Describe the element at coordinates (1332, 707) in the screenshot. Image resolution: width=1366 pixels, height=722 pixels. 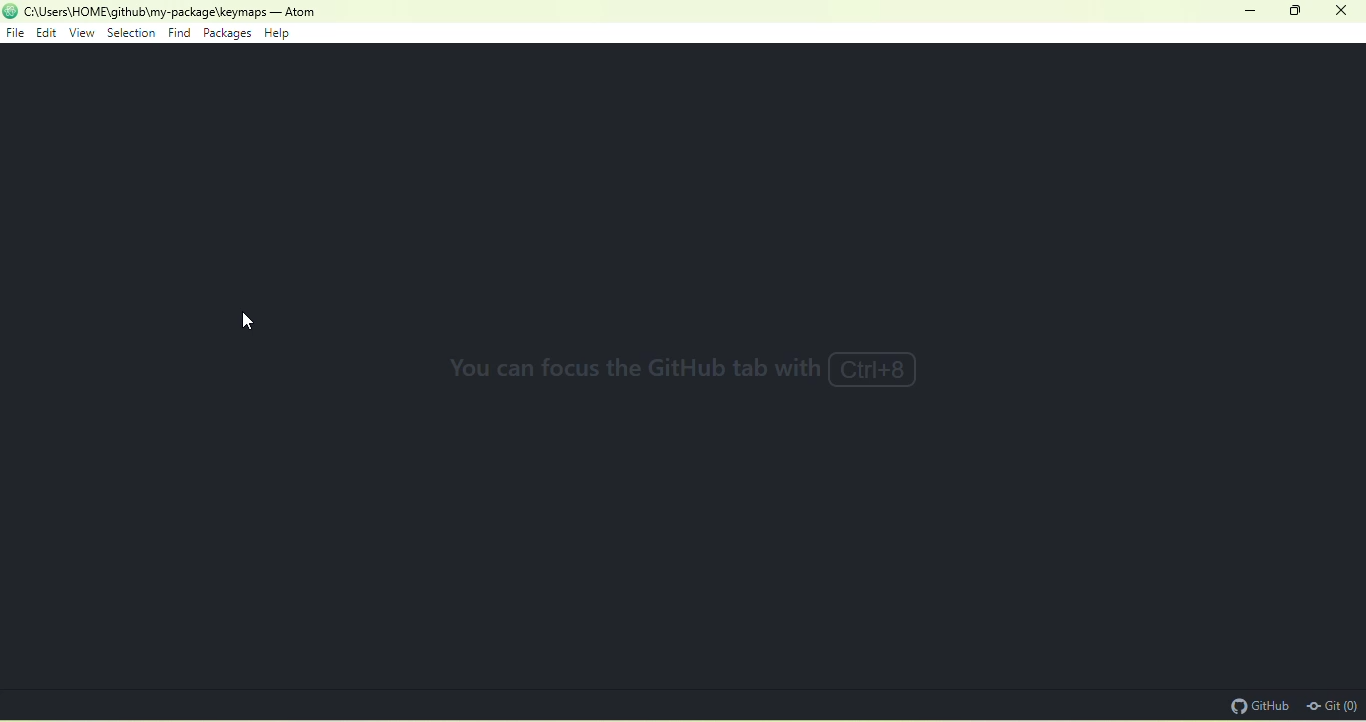
I see `git` at that location.